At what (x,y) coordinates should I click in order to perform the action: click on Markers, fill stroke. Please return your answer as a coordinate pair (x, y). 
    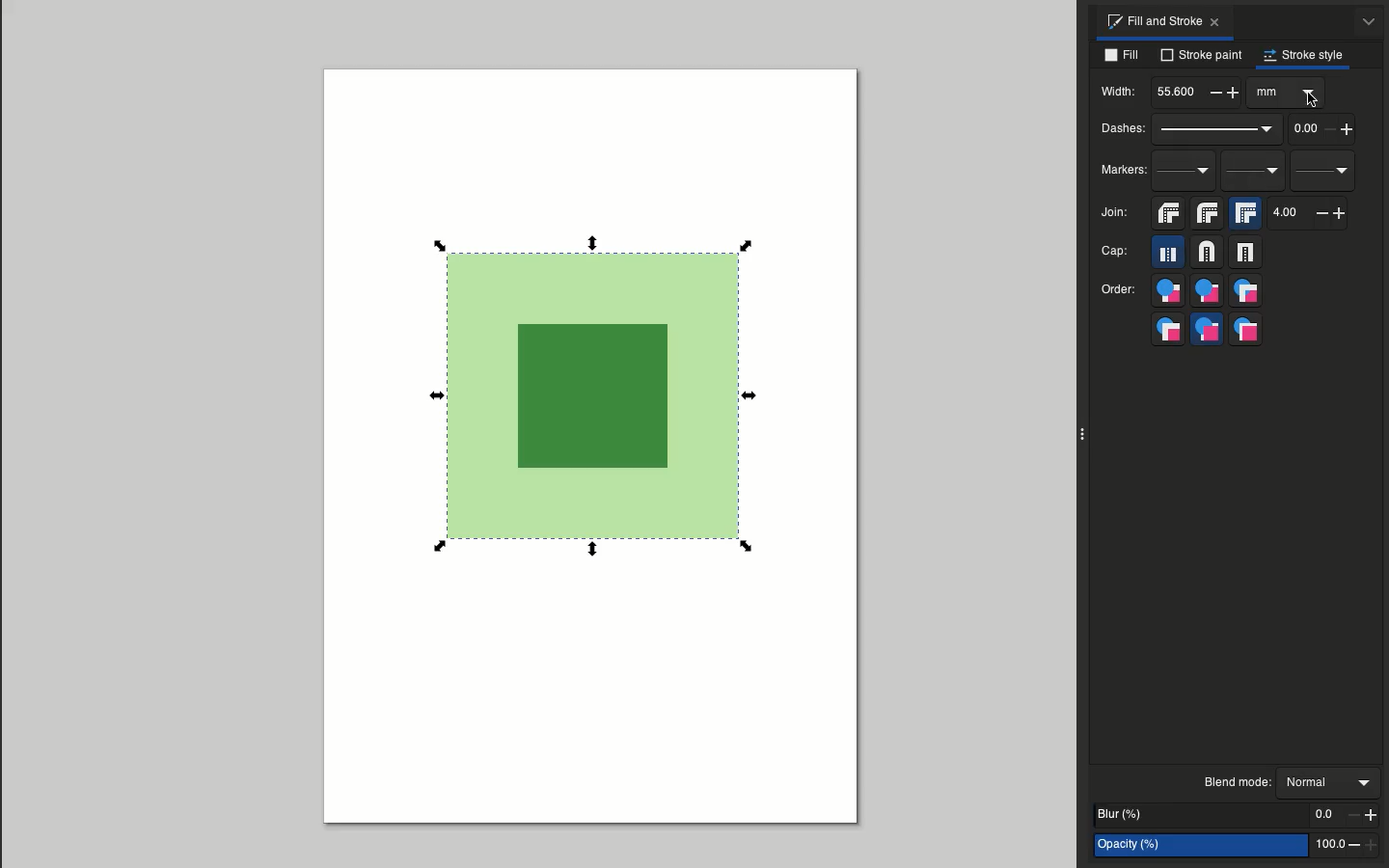
    Looking at the image, I should click on (1168, 329).